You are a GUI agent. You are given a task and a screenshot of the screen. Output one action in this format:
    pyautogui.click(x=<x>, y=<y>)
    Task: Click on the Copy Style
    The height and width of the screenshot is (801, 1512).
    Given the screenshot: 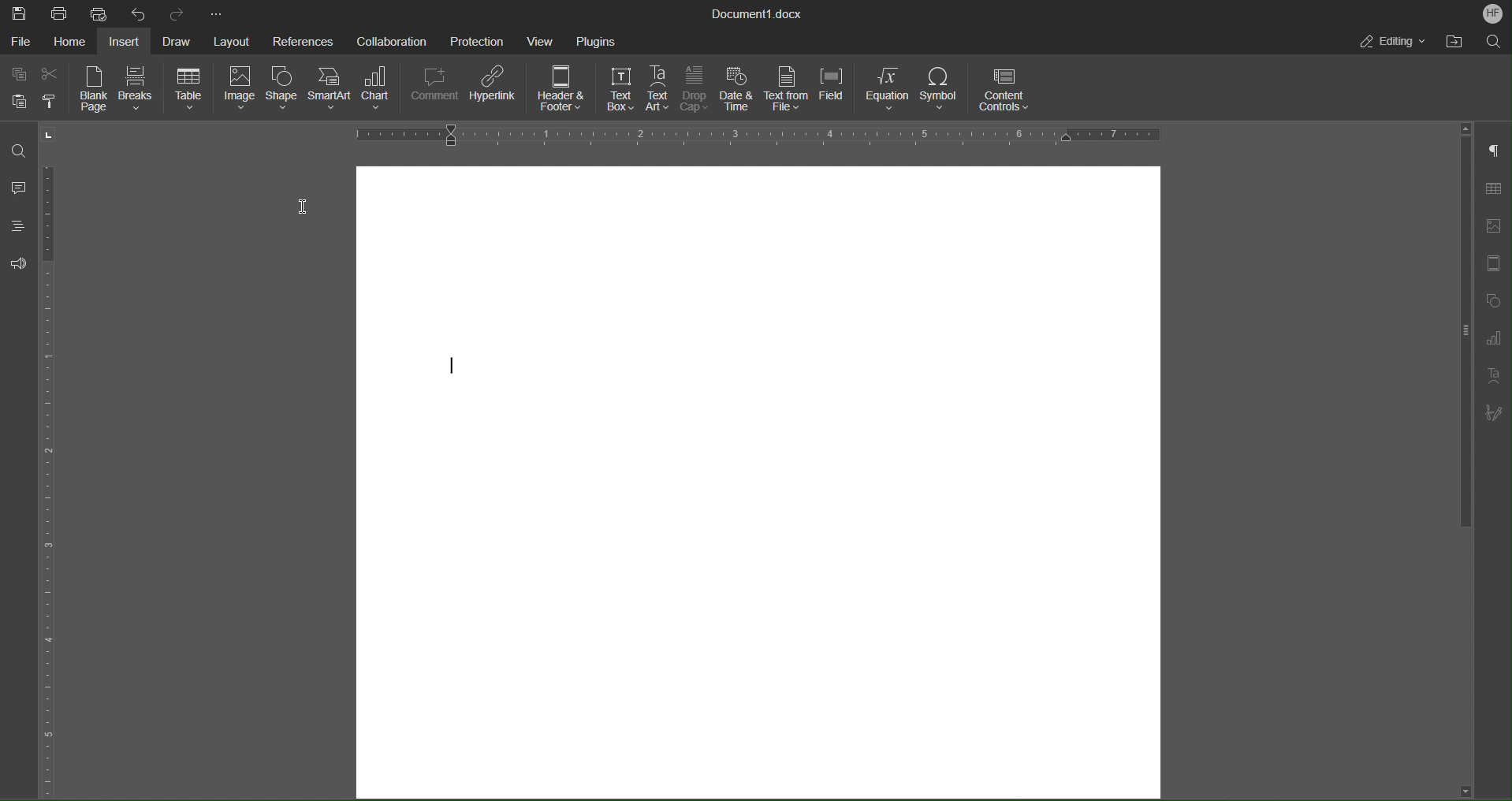 What is the action you would take?
    pyautogui.click(x=51, y=102)
    